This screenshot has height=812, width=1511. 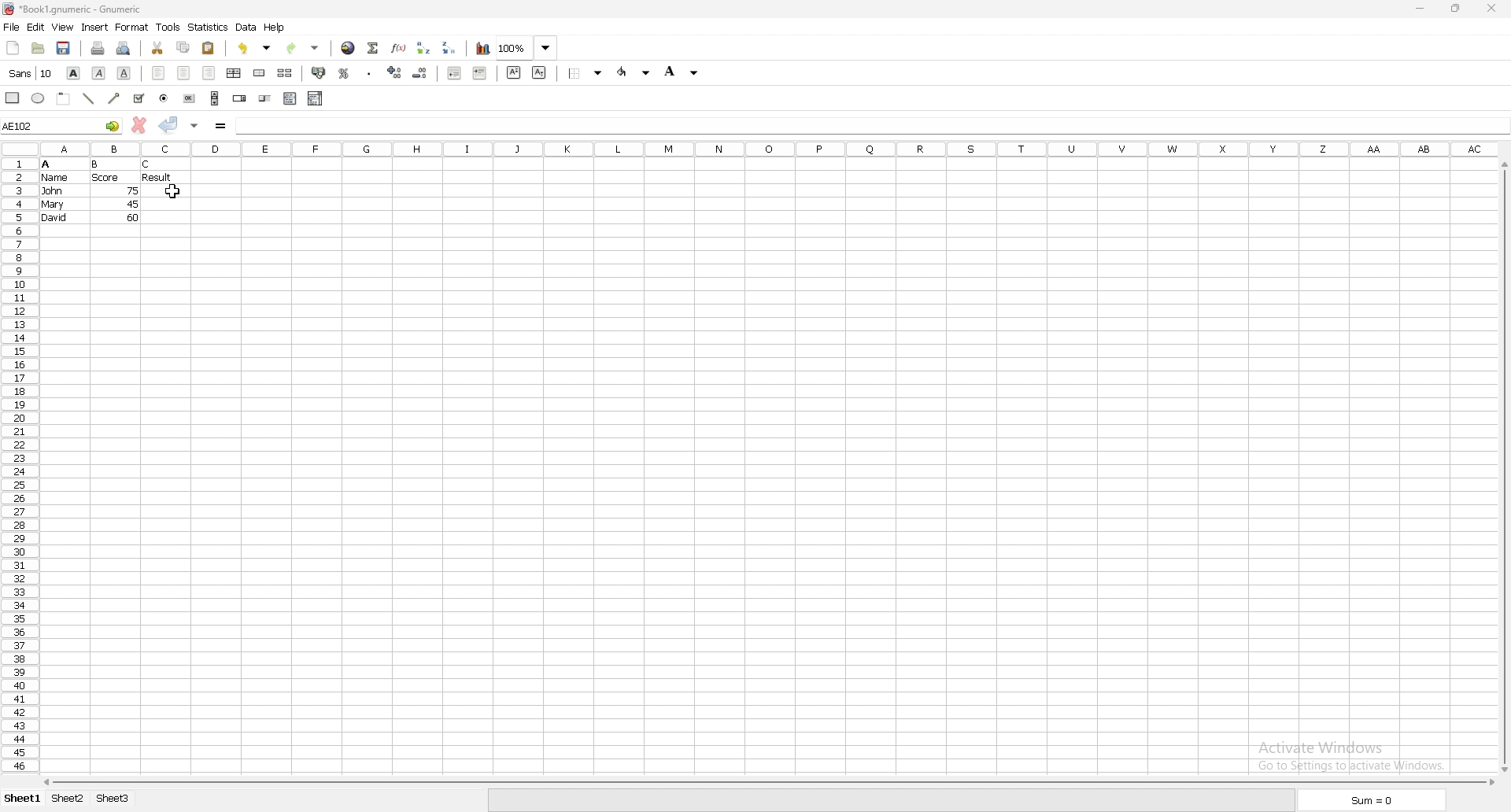 I want to click on insert, so click(x=94, y=28).